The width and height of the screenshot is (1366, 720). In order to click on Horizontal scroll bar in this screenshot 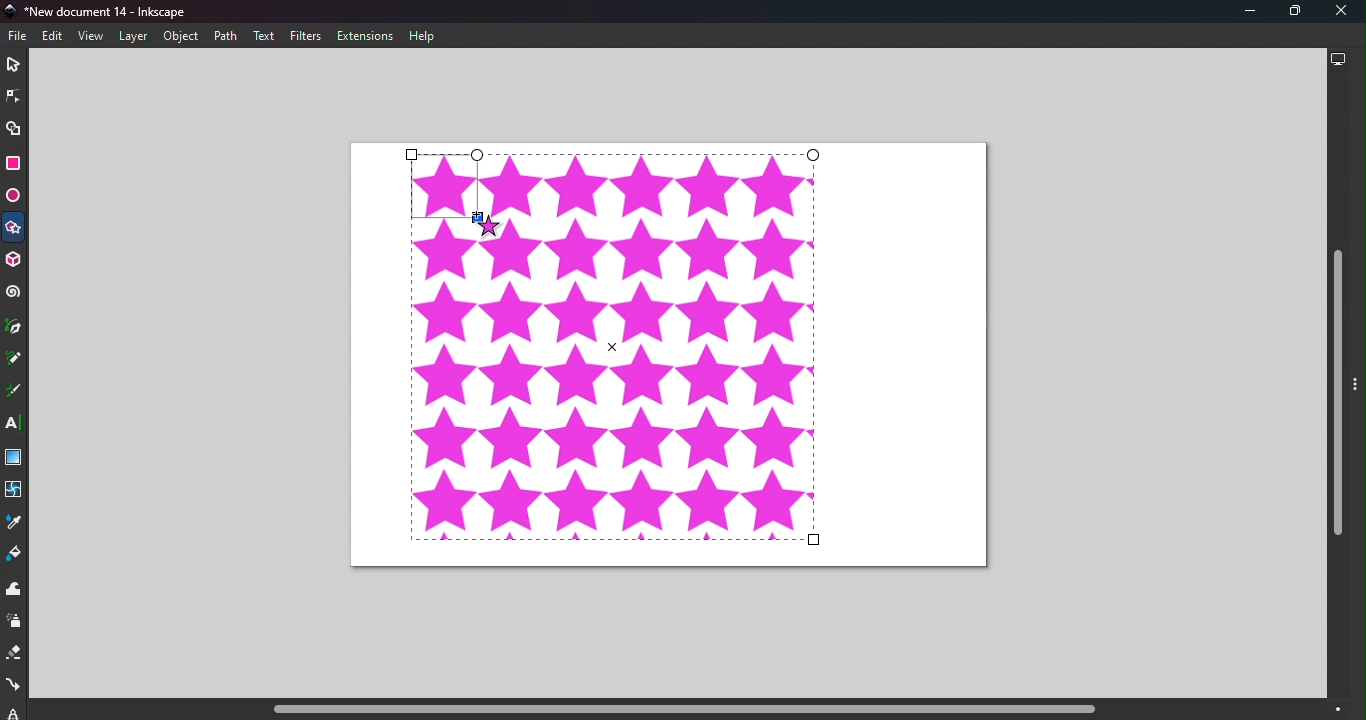, I will do `click(676, 710)`.